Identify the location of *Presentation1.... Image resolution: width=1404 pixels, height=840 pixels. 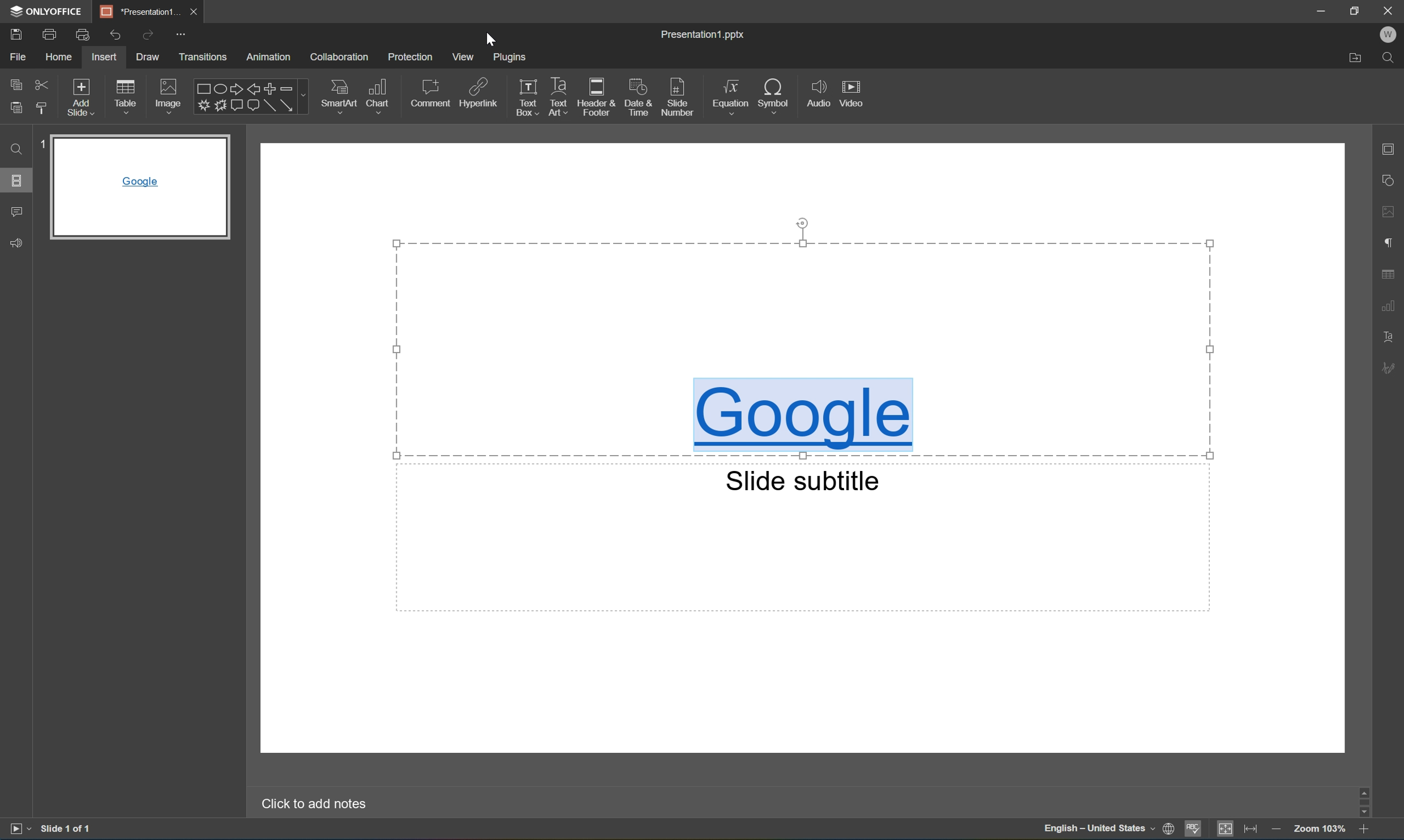
(139, 9).